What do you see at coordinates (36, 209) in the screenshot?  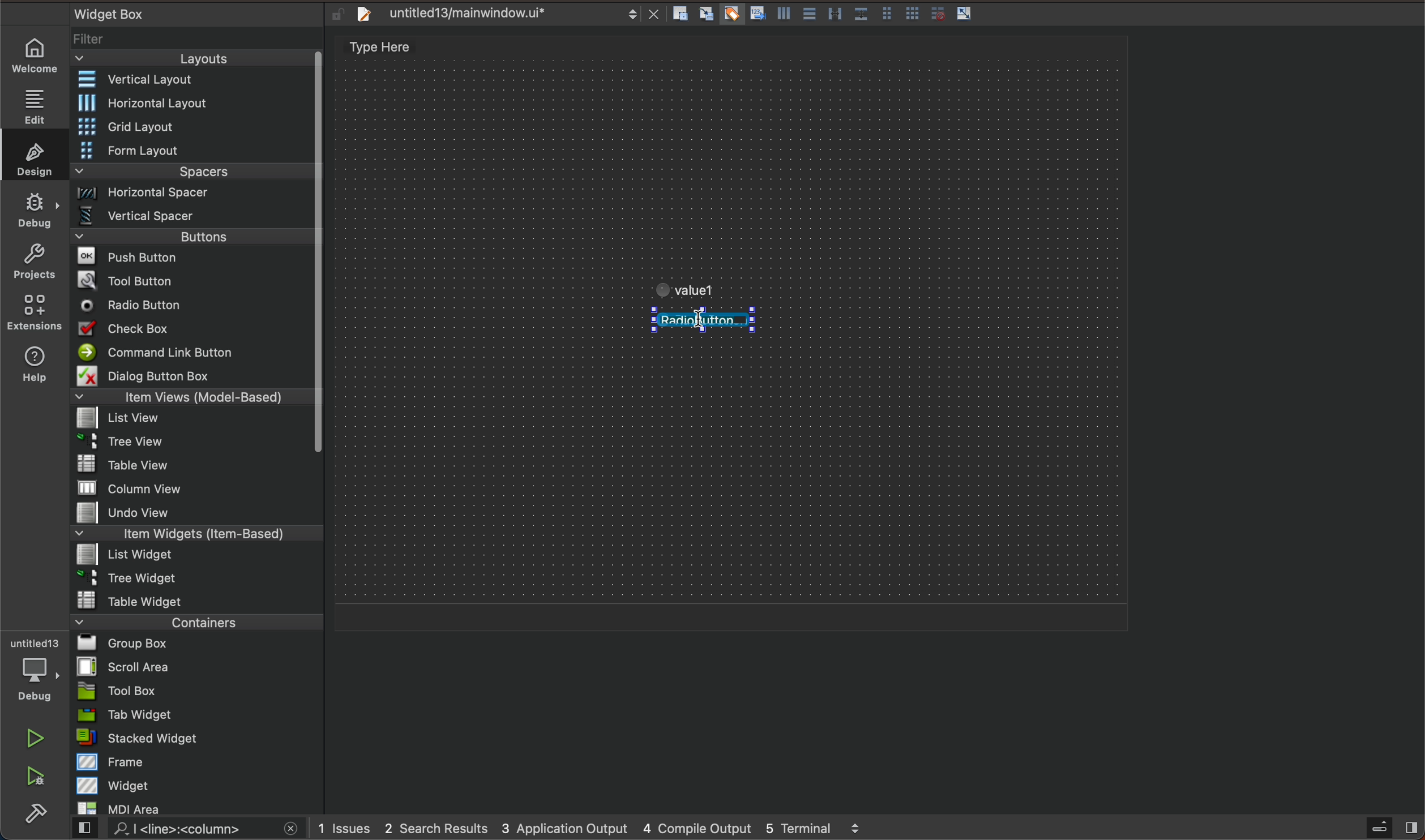 I see `debug` at bounding box center [36, 209].